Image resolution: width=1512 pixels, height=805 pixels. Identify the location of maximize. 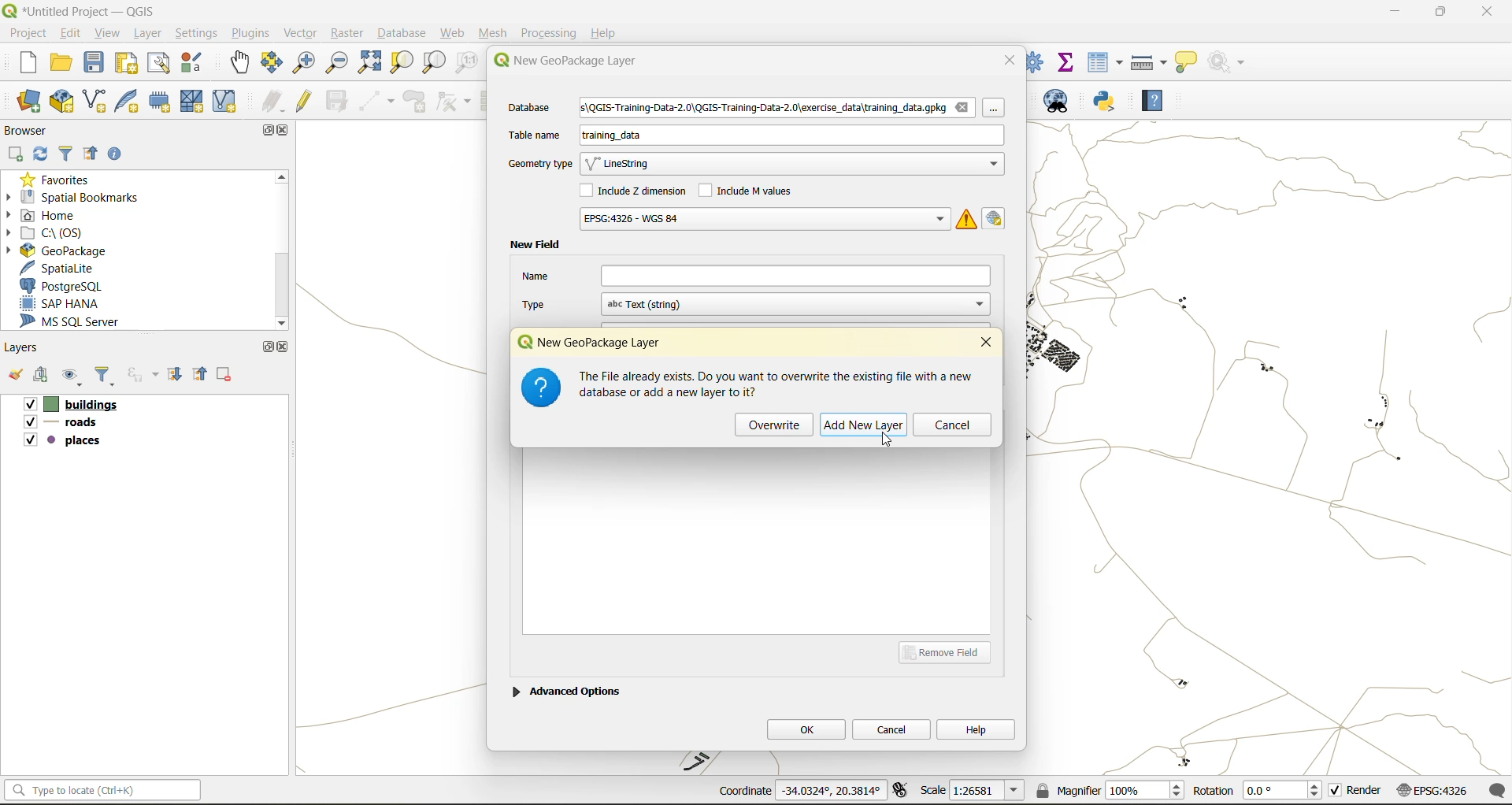
(1440, 14).